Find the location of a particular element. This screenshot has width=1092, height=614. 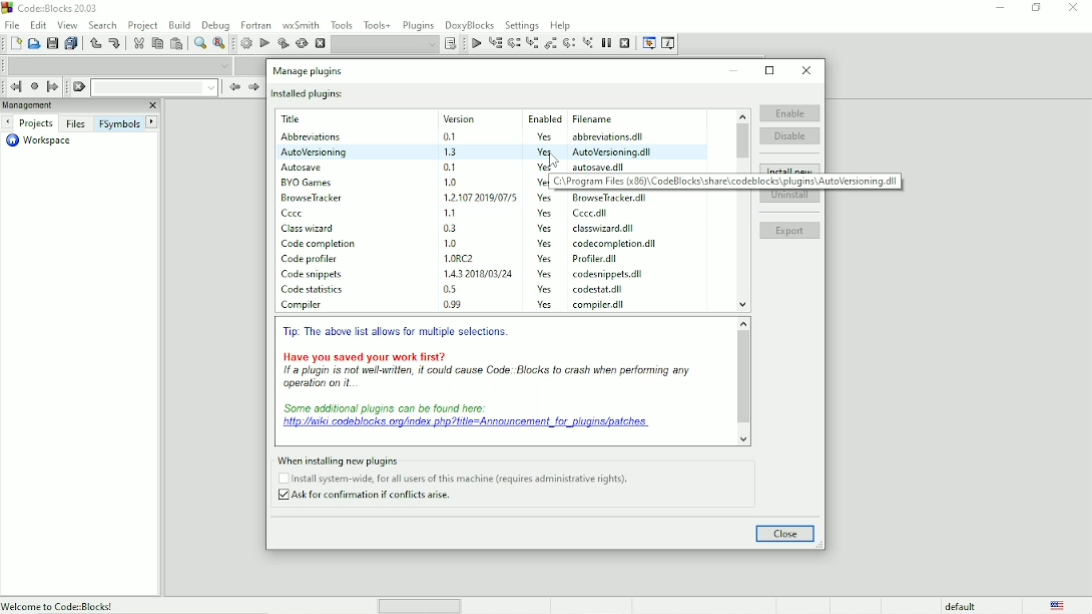

Restore down is located at coordinates (1036, 8).